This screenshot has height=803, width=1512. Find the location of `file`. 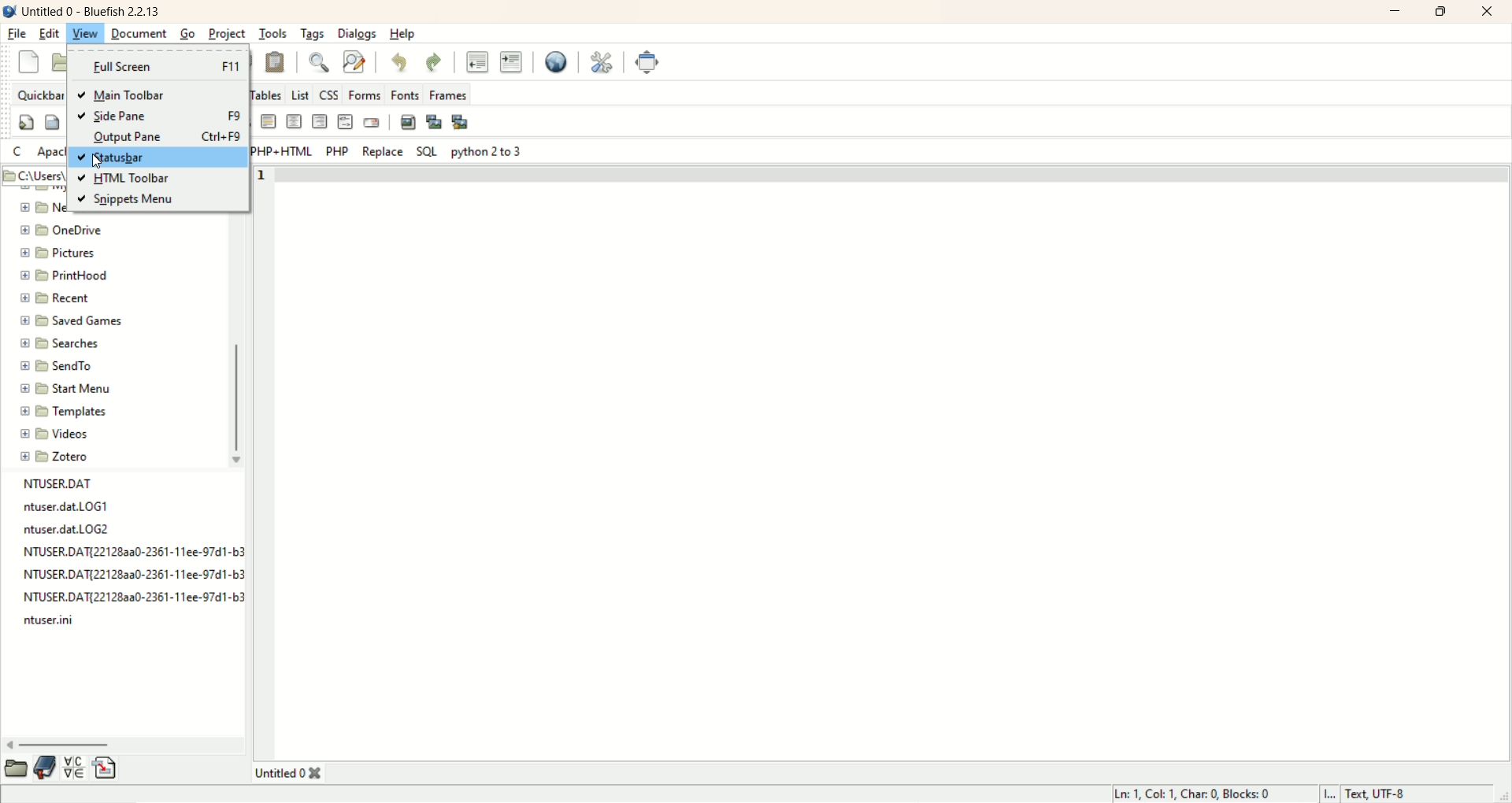

file is located at coordinates (135, 553).